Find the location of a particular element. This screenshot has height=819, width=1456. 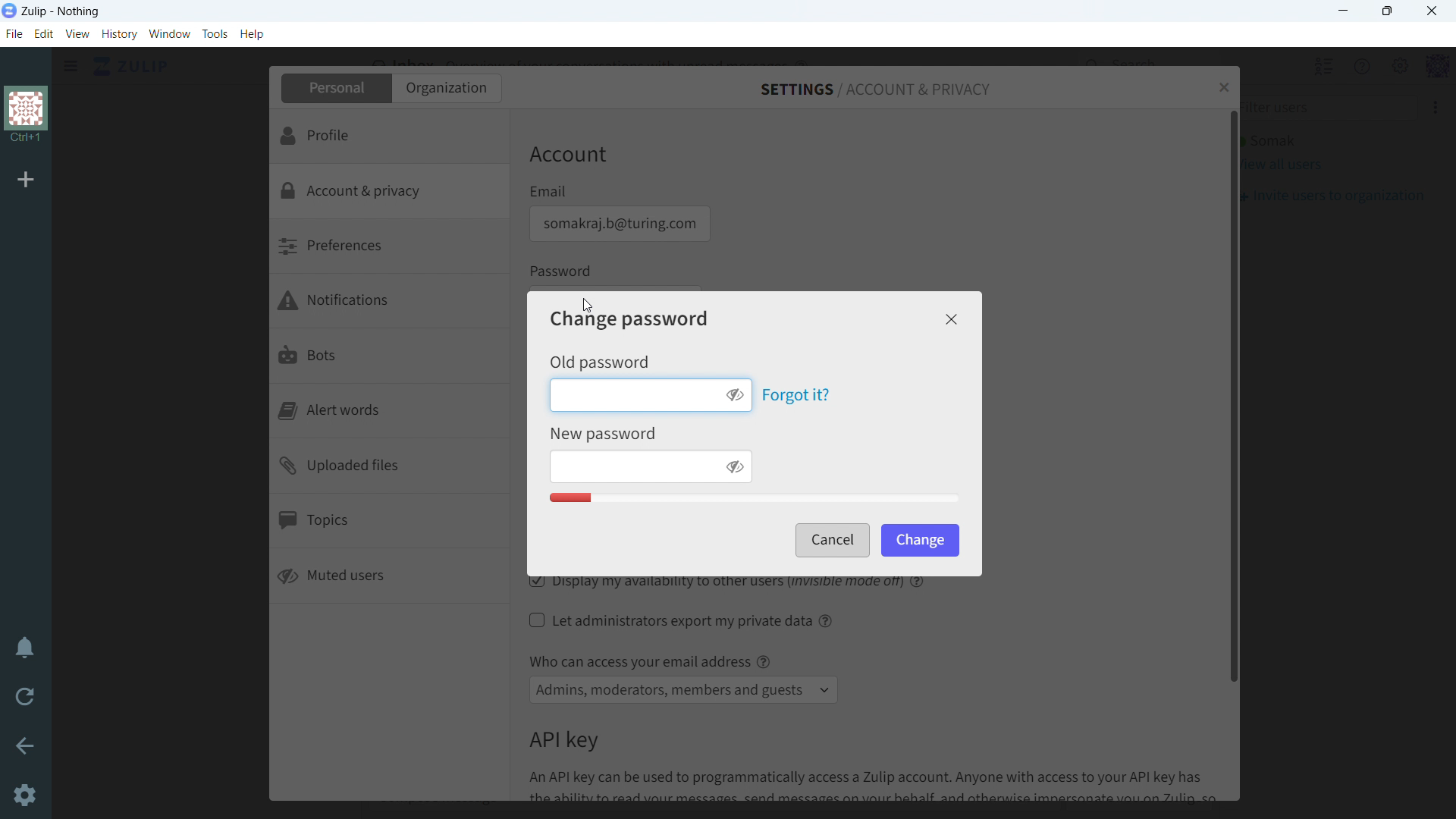

preferences is located at coordinates (389, 248).